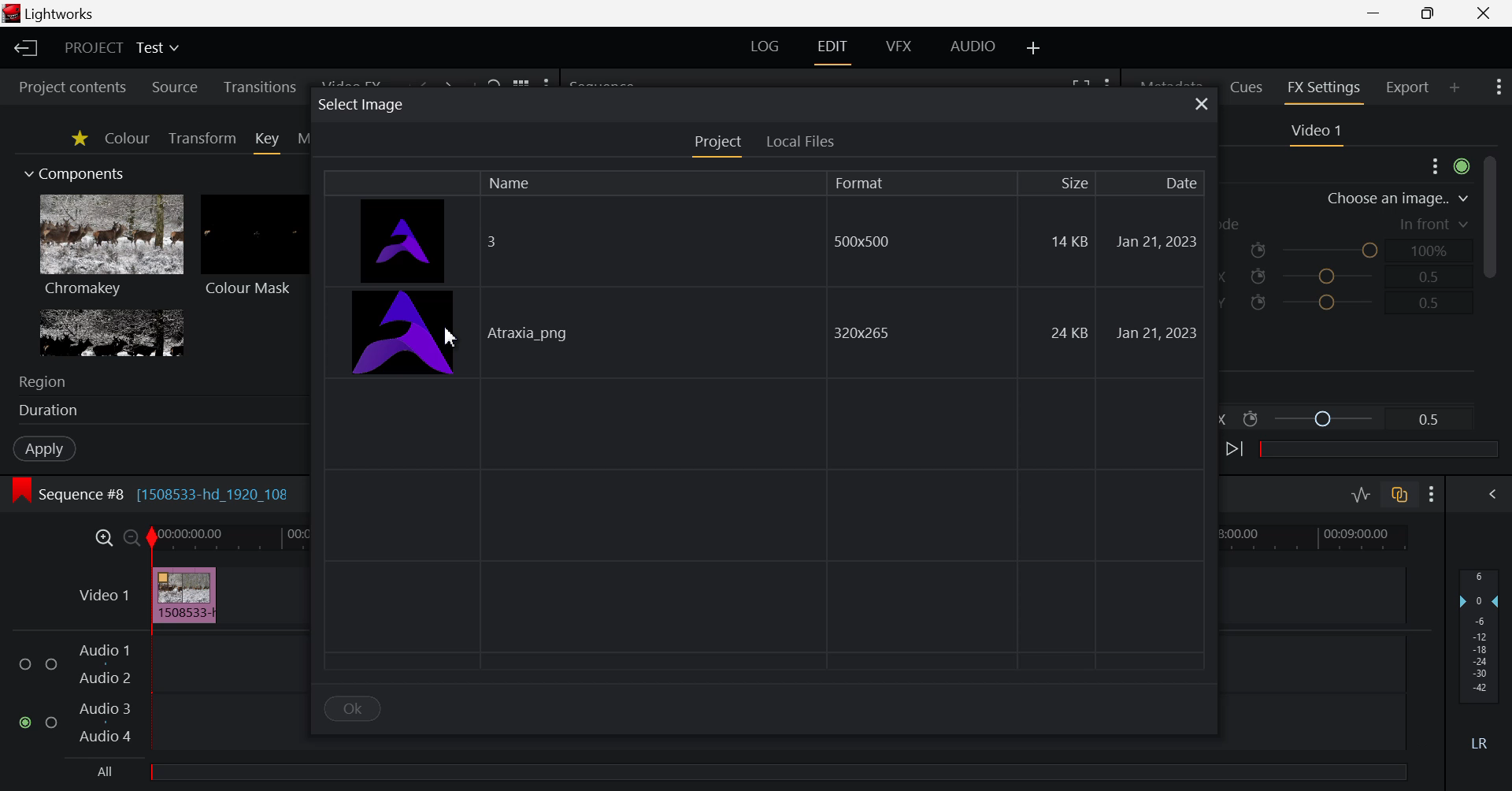  I want to click on Export, so click(1405, 87).